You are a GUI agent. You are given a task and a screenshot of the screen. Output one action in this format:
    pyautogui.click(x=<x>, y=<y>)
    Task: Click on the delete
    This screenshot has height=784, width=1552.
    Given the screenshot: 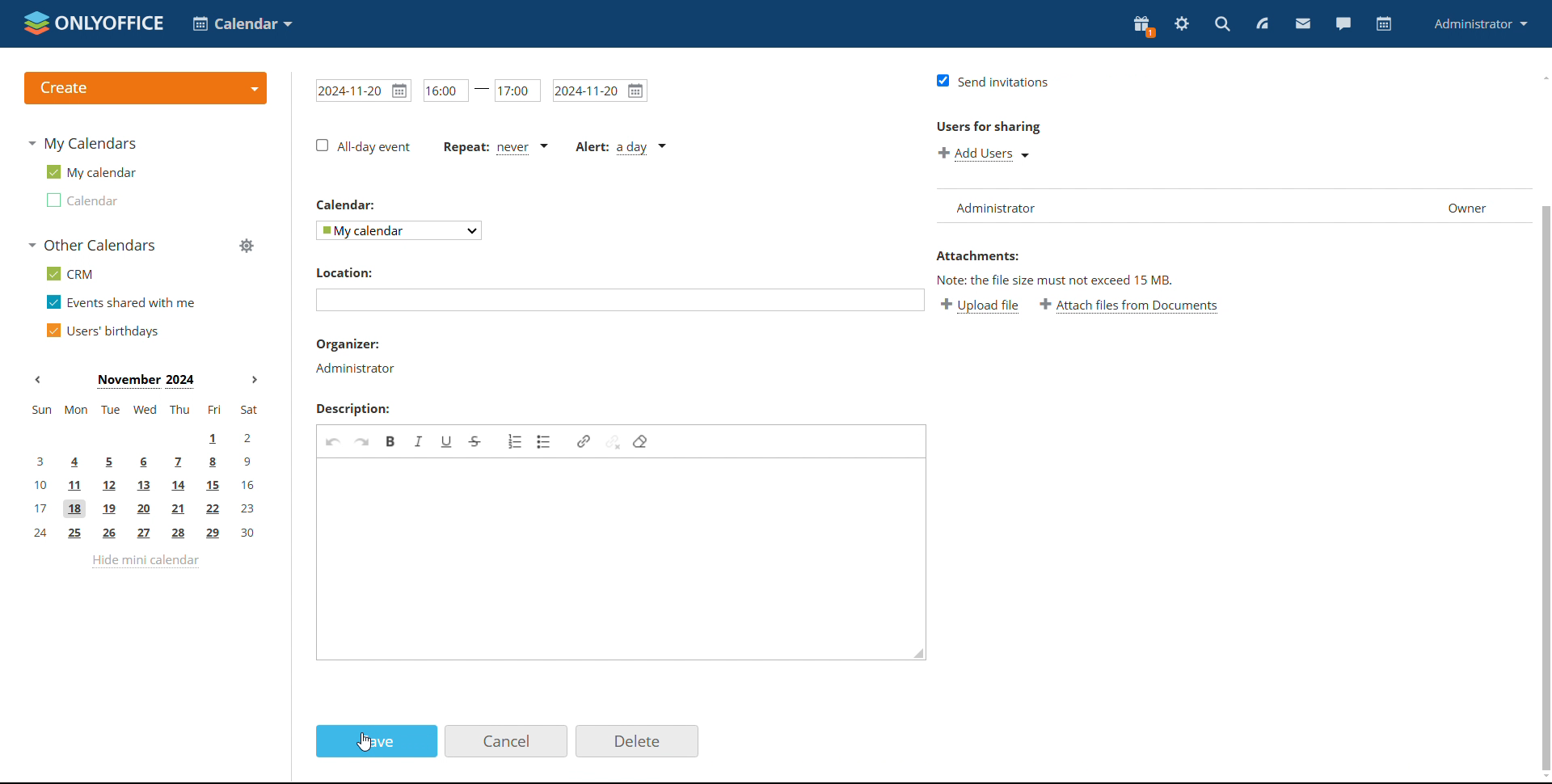 What is the action you would take?
    pyautogui.click(x=637, y=742)
    